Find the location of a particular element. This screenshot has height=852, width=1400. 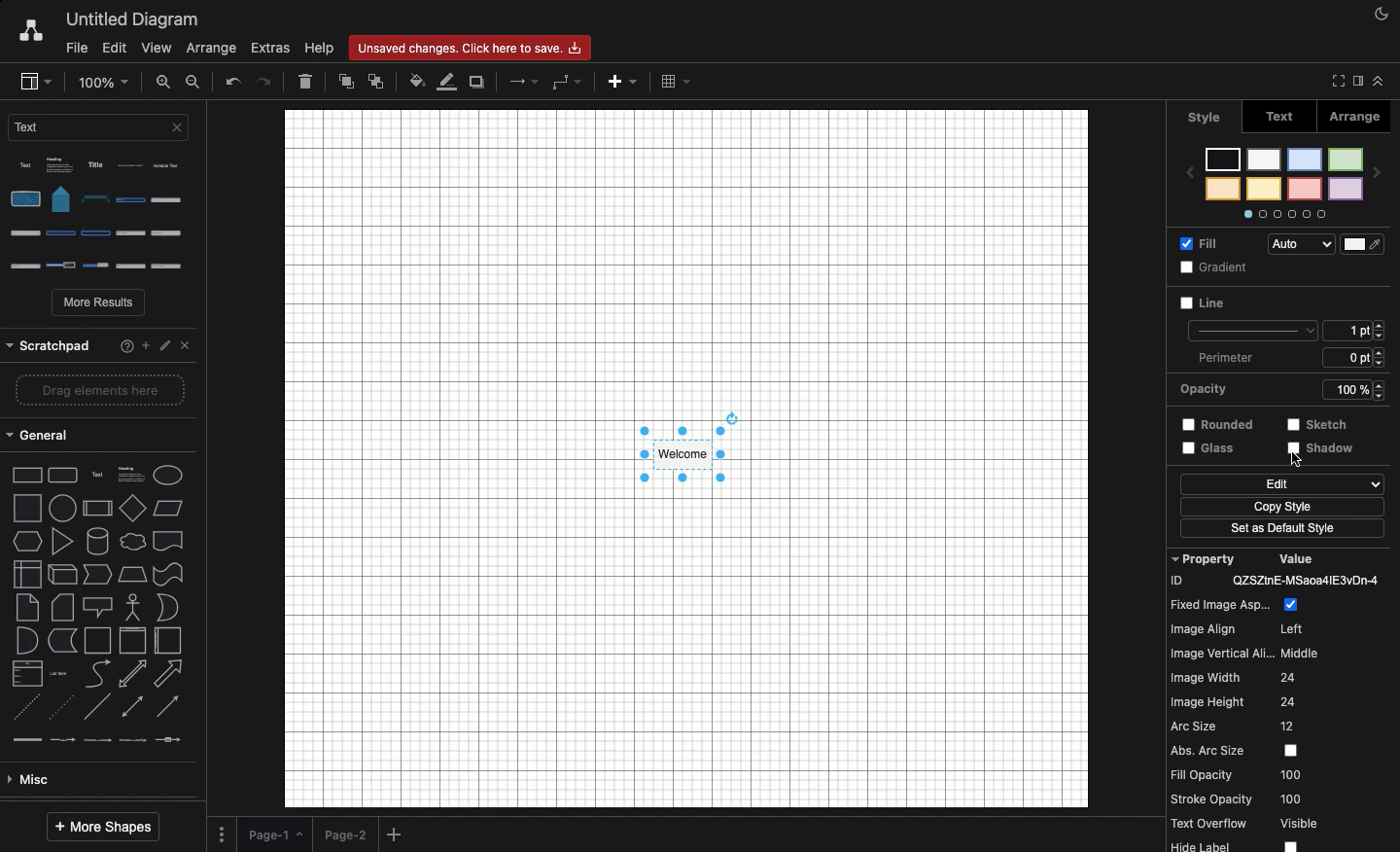

Edit is located at coordinates (113, 47).